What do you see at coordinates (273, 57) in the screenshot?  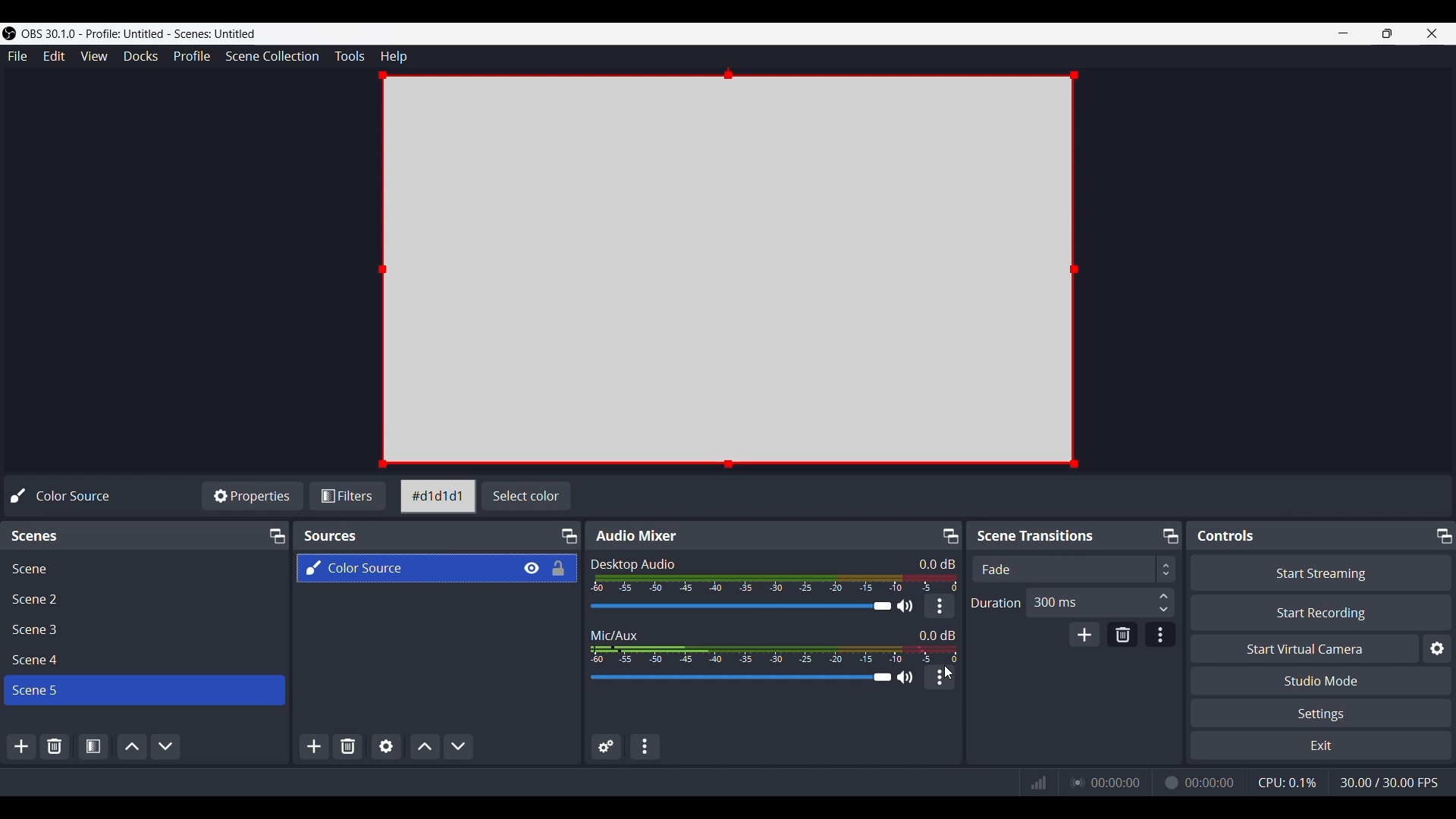 I see `Scene Collection` at bounding box center [273, 57].